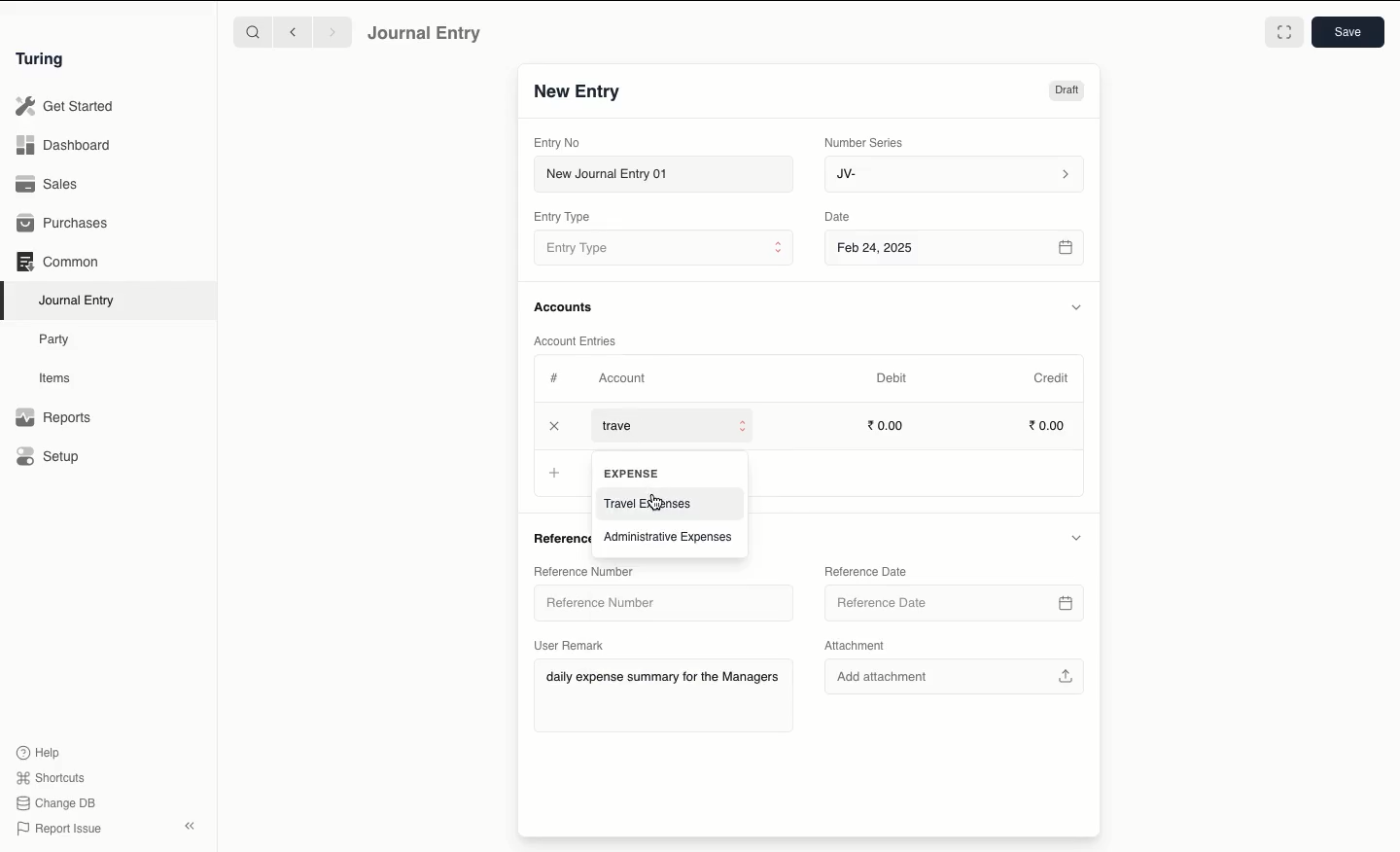  I want to click on Administrative Expenses, so click(671, 536).